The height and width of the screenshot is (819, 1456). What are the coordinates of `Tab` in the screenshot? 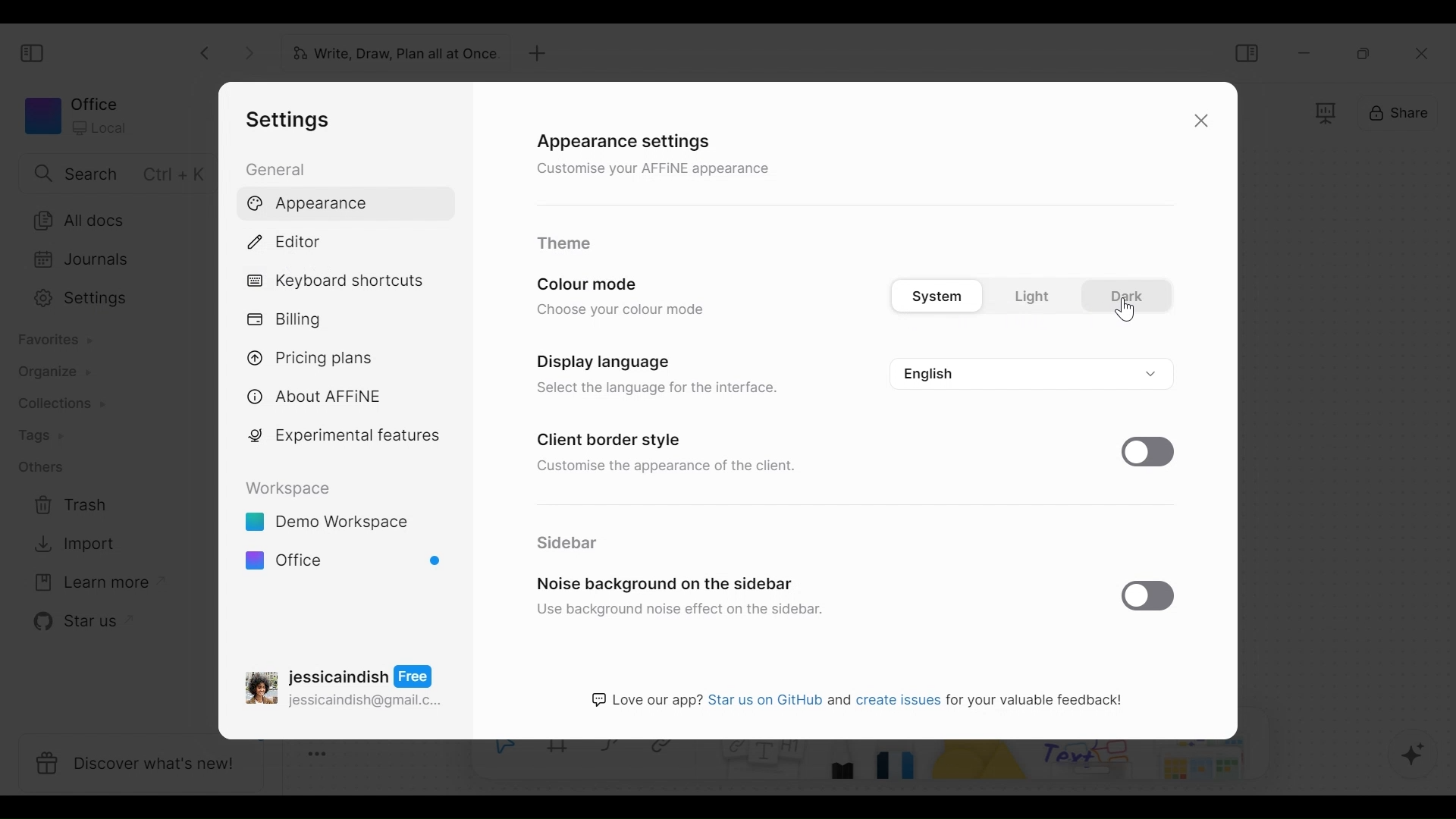 It's located at (389, 54).